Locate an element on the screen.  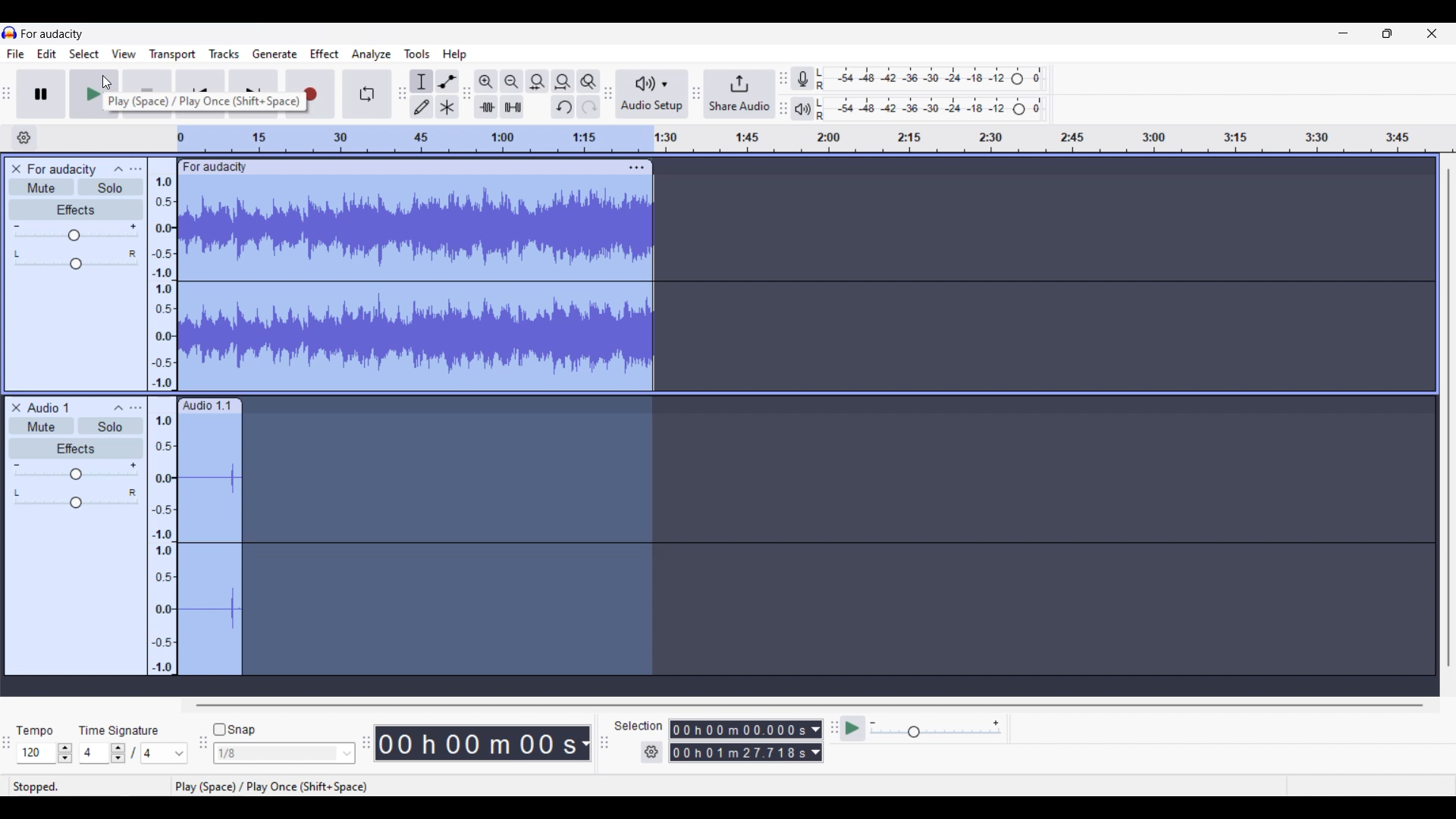
Trim audio outside selection is located at coordinates (487, 107).